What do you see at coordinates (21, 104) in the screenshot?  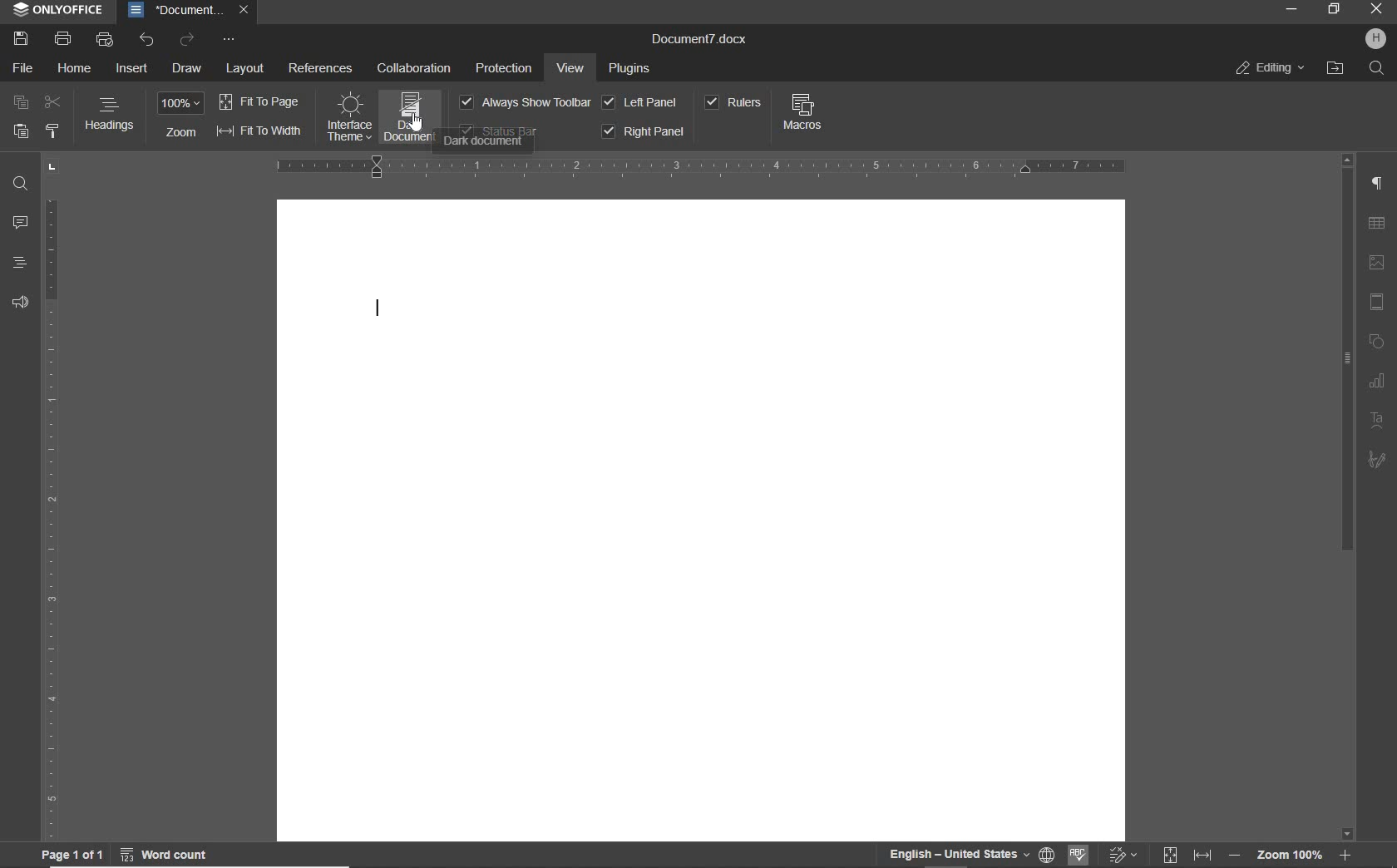 I see `COPY` at bounding box center [21, 104].